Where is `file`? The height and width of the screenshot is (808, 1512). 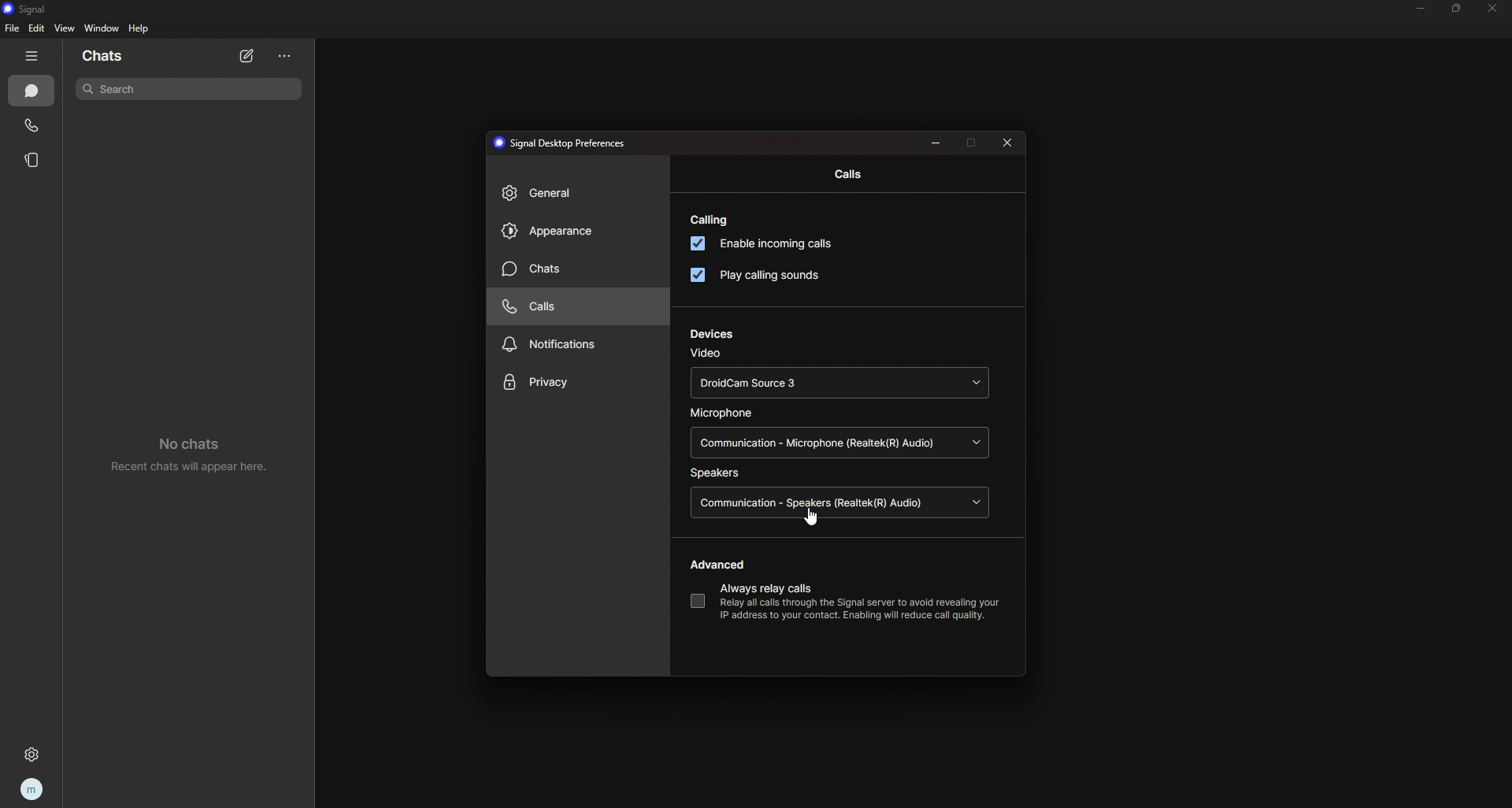 file is located at coordinates (13, 28).